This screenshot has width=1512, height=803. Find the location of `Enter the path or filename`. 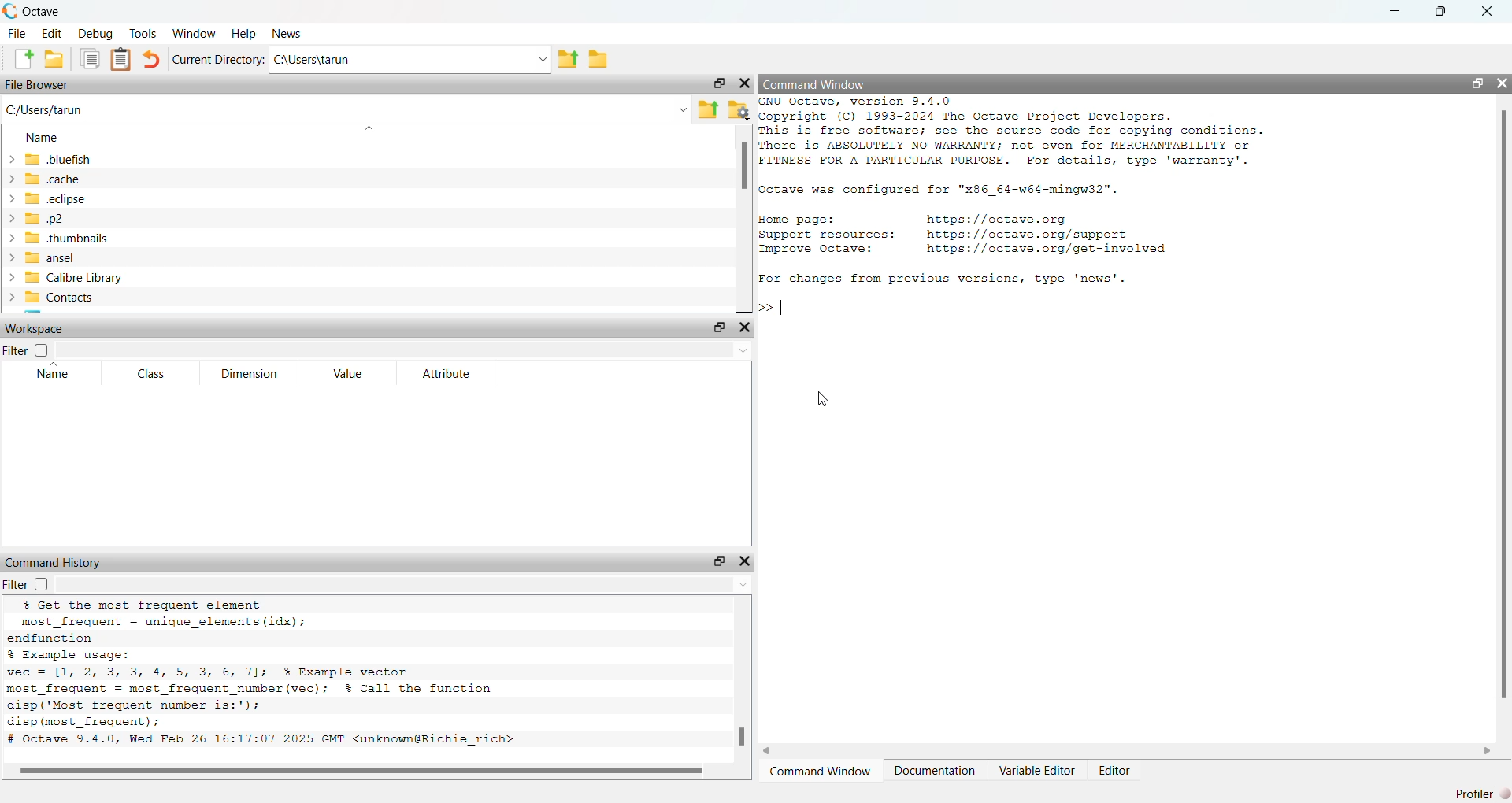

Enter the path or filename is located at coordinates (683, 109).